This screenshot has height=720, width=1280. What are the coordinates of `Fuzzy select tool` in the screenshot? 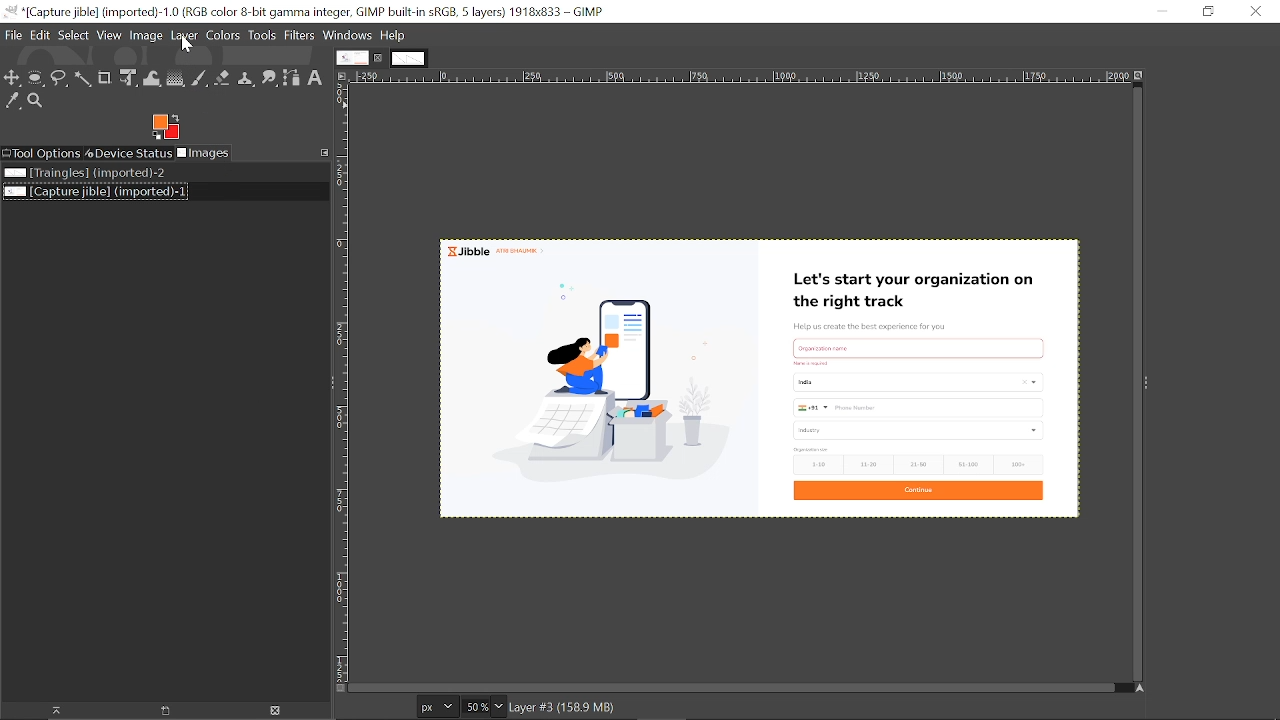 It's located at (83, 79).